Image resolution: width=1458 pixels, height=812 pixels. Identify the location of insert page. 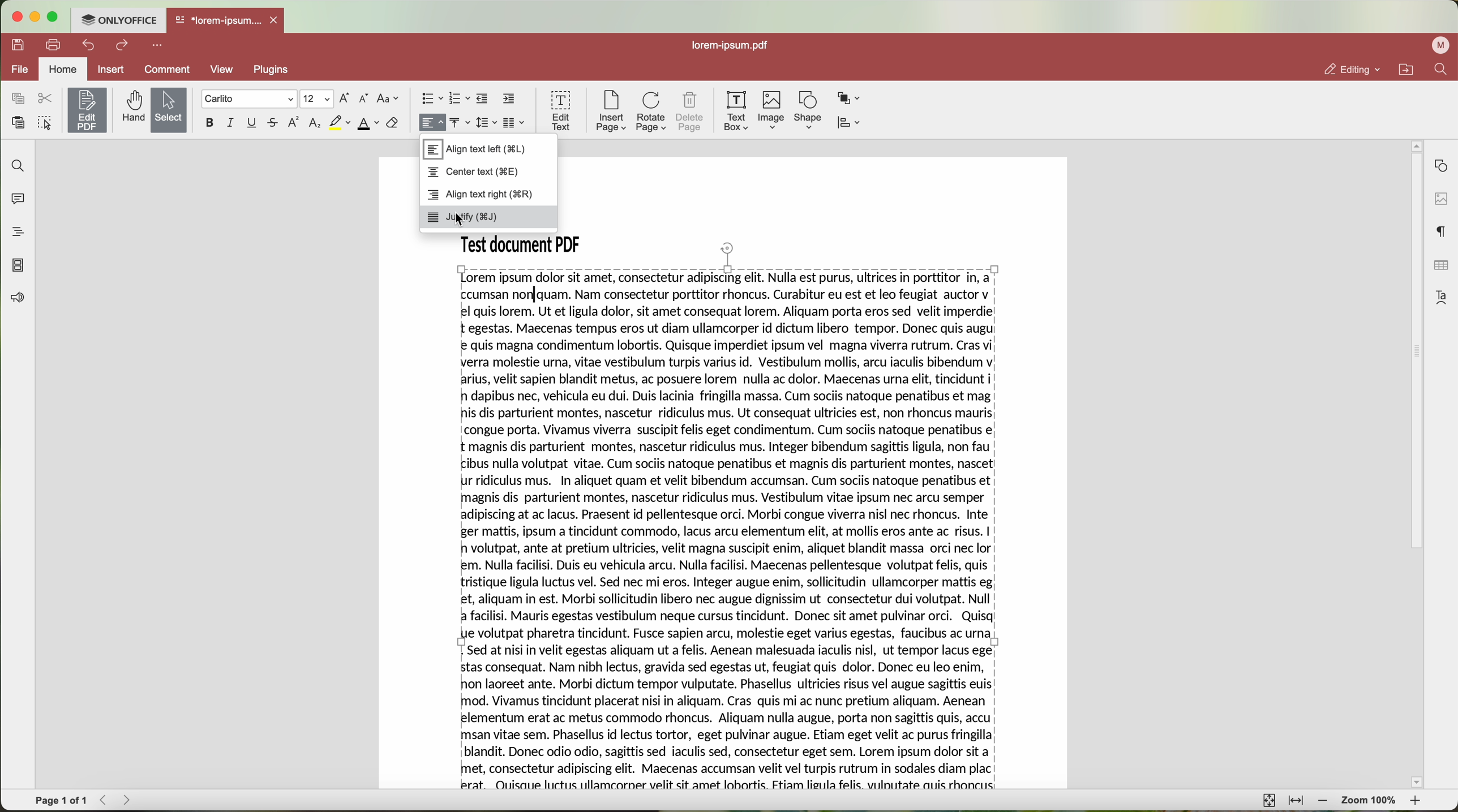
(612, 112).